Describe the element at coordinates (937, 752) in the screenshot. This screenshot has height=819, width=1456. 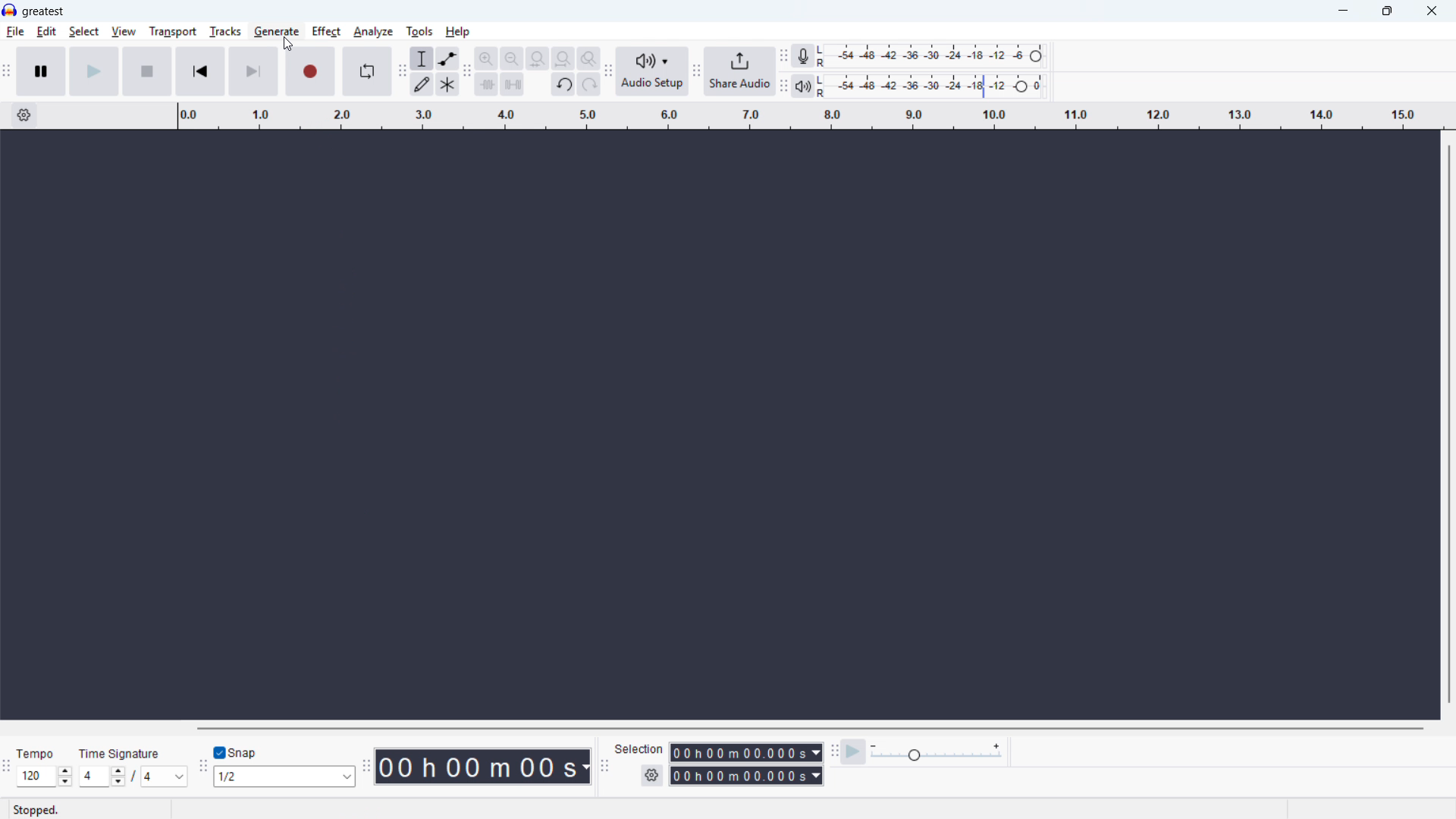
I see `playback speed` at that location.